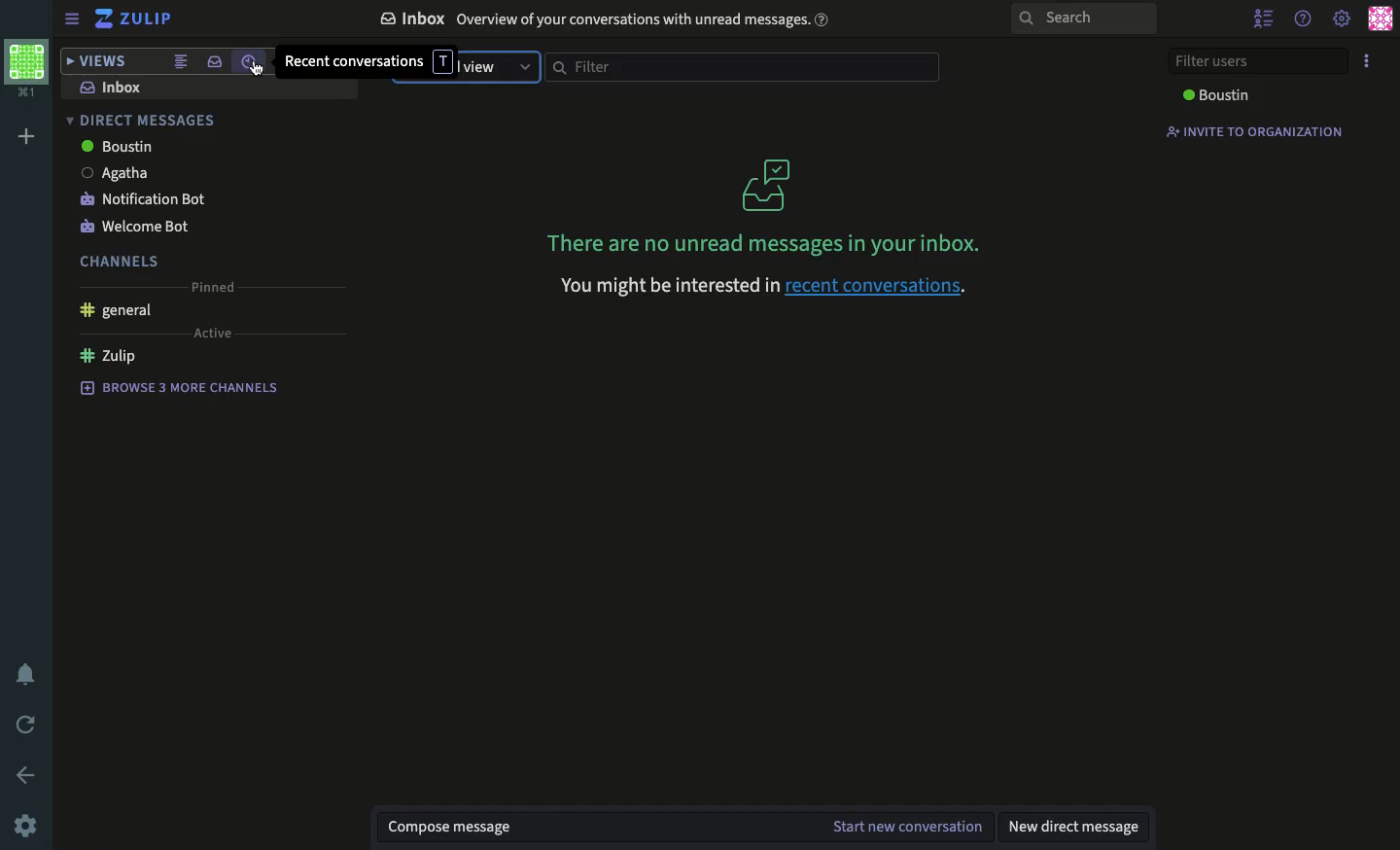 The height and width of the screenshot is (850, 1400). I want to click on search, so click(1080, 19).